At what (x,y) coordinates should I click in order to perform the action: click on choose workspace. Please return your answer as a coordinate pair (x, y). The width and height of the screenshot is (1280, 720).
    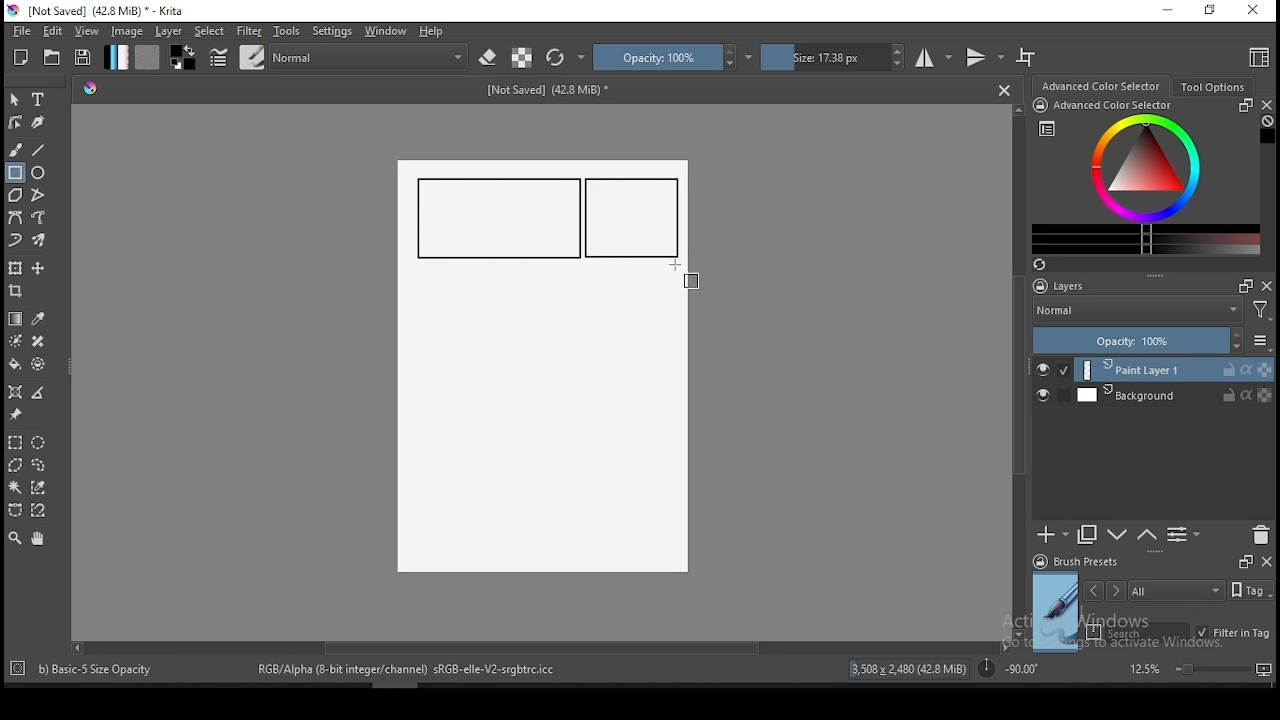
    Looking at the image, I should click on (1257, 57).